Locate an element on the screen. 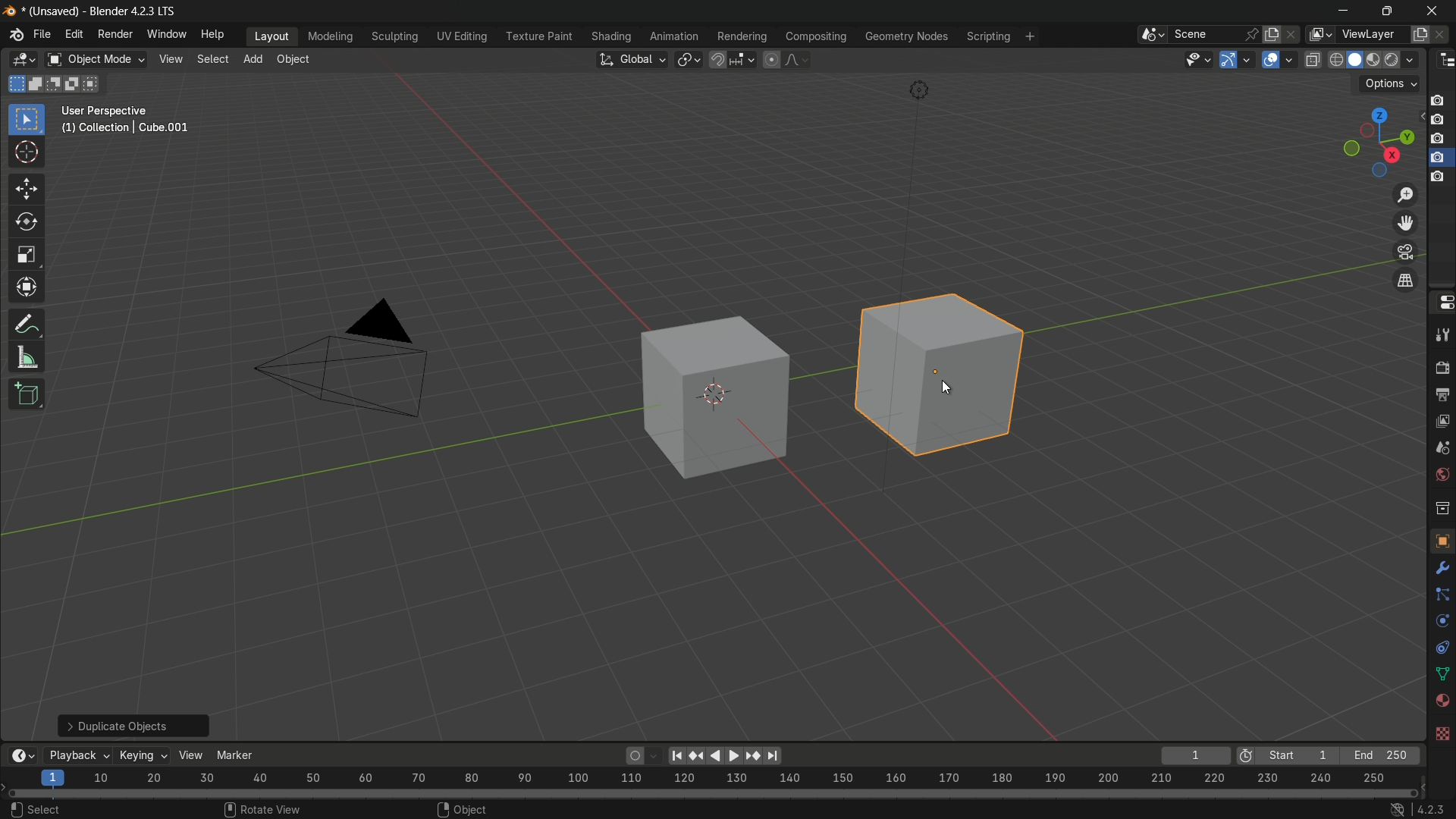 Image resolution: width=1456 pixels, height=819 pixels. auto keying is located at coordinates (632, 758).